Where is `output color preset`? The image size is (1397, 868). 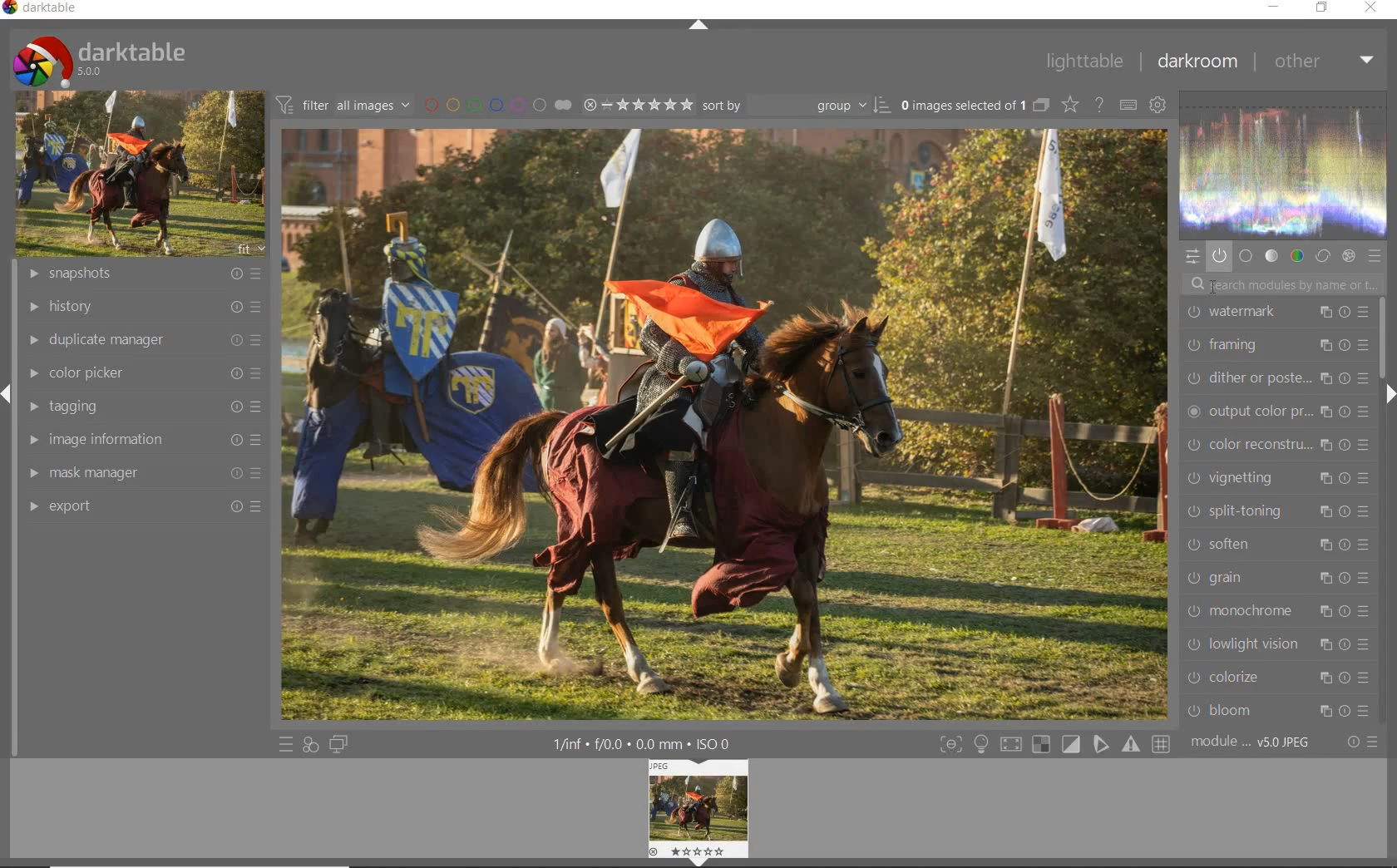
output color preset is located at coordinates (1273, 411).